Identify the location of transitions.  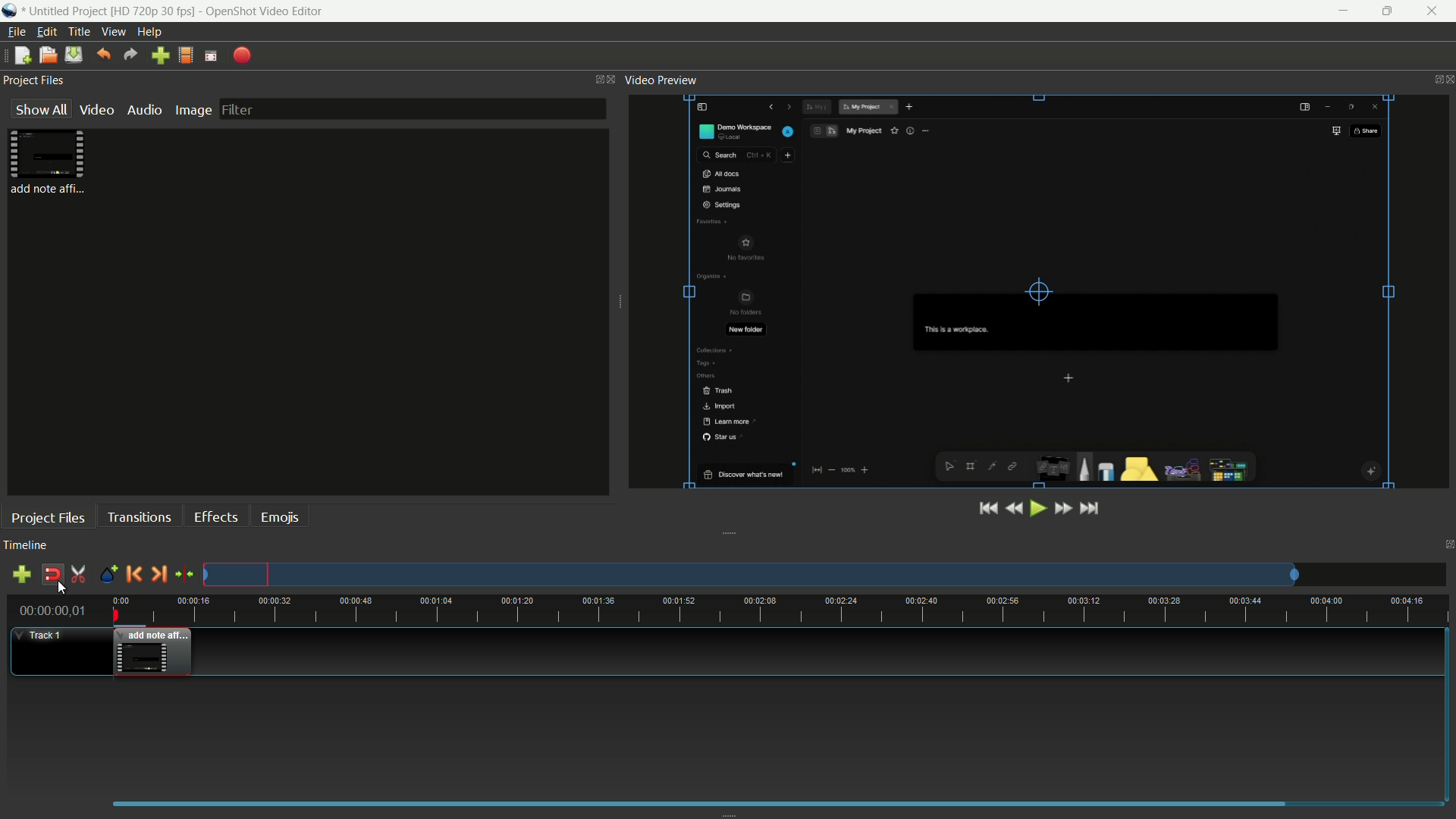
(142, 516).